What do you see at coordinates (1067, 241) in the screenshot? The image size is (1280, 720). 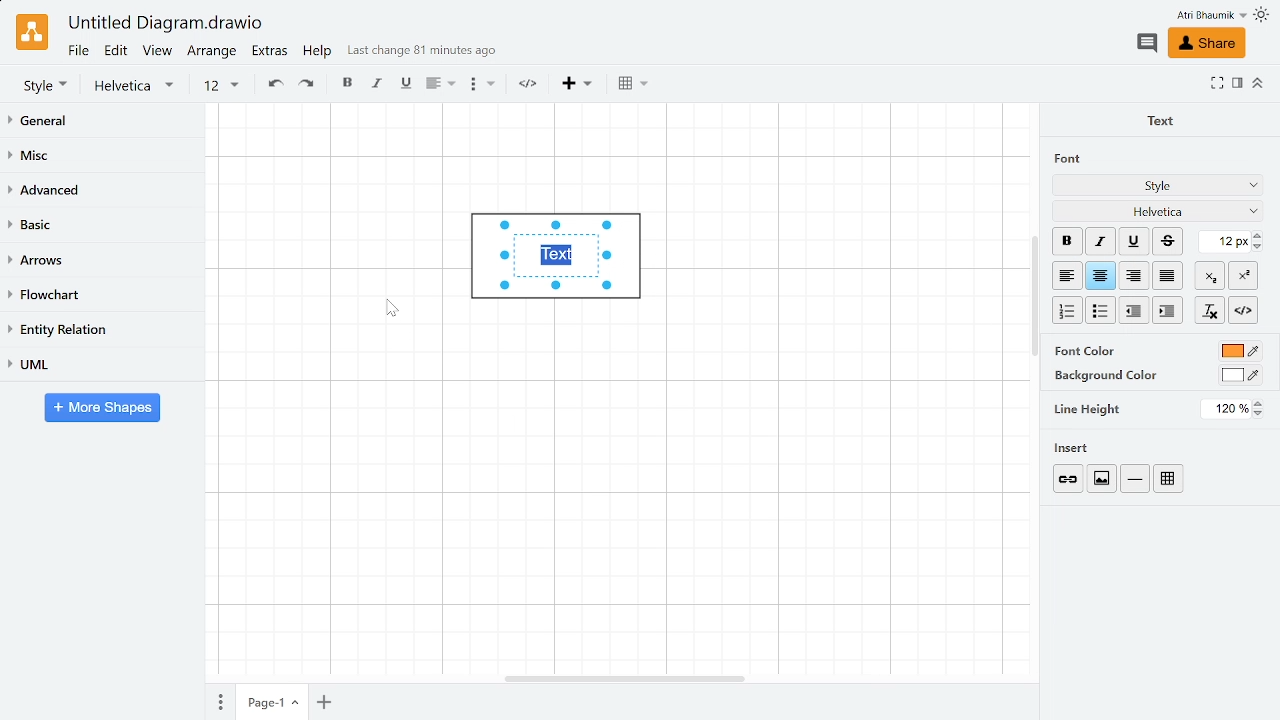 I see `Bold` at bounding box center [1067, 241].